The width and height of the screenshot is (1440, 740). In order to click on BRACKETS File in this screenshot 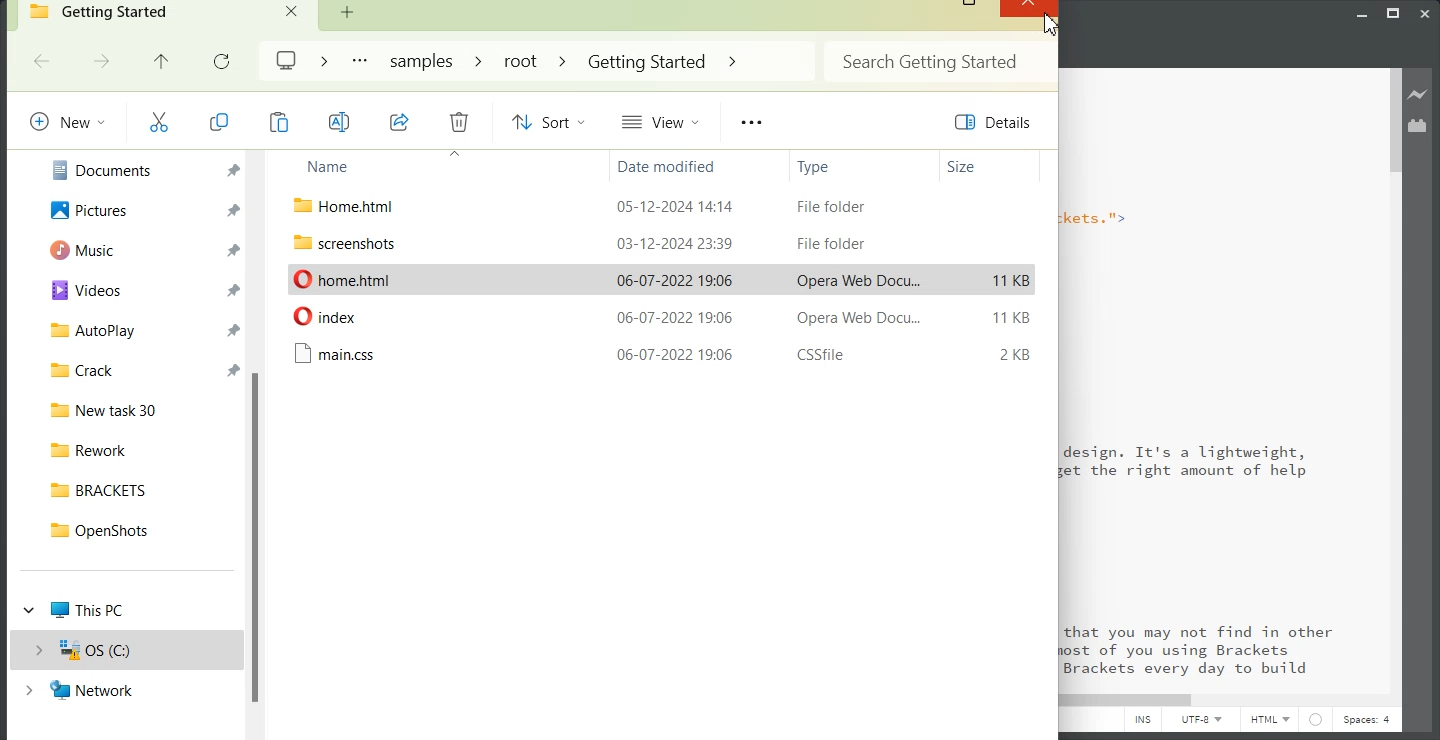, I will do `click(140, 490)`.